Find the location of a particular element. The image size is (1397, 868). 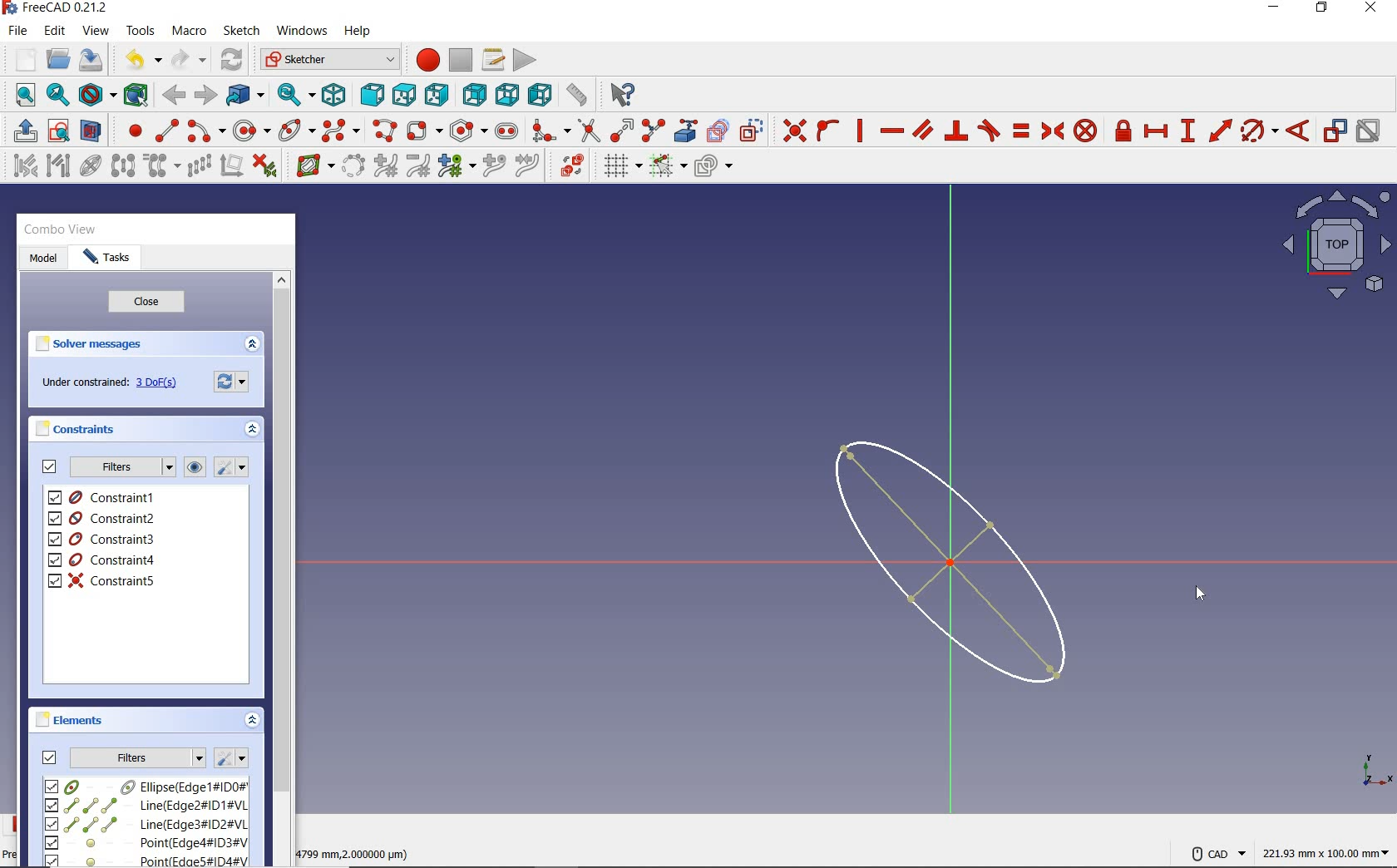

increase B-Spline Degree is located at coordinates (383, 166).